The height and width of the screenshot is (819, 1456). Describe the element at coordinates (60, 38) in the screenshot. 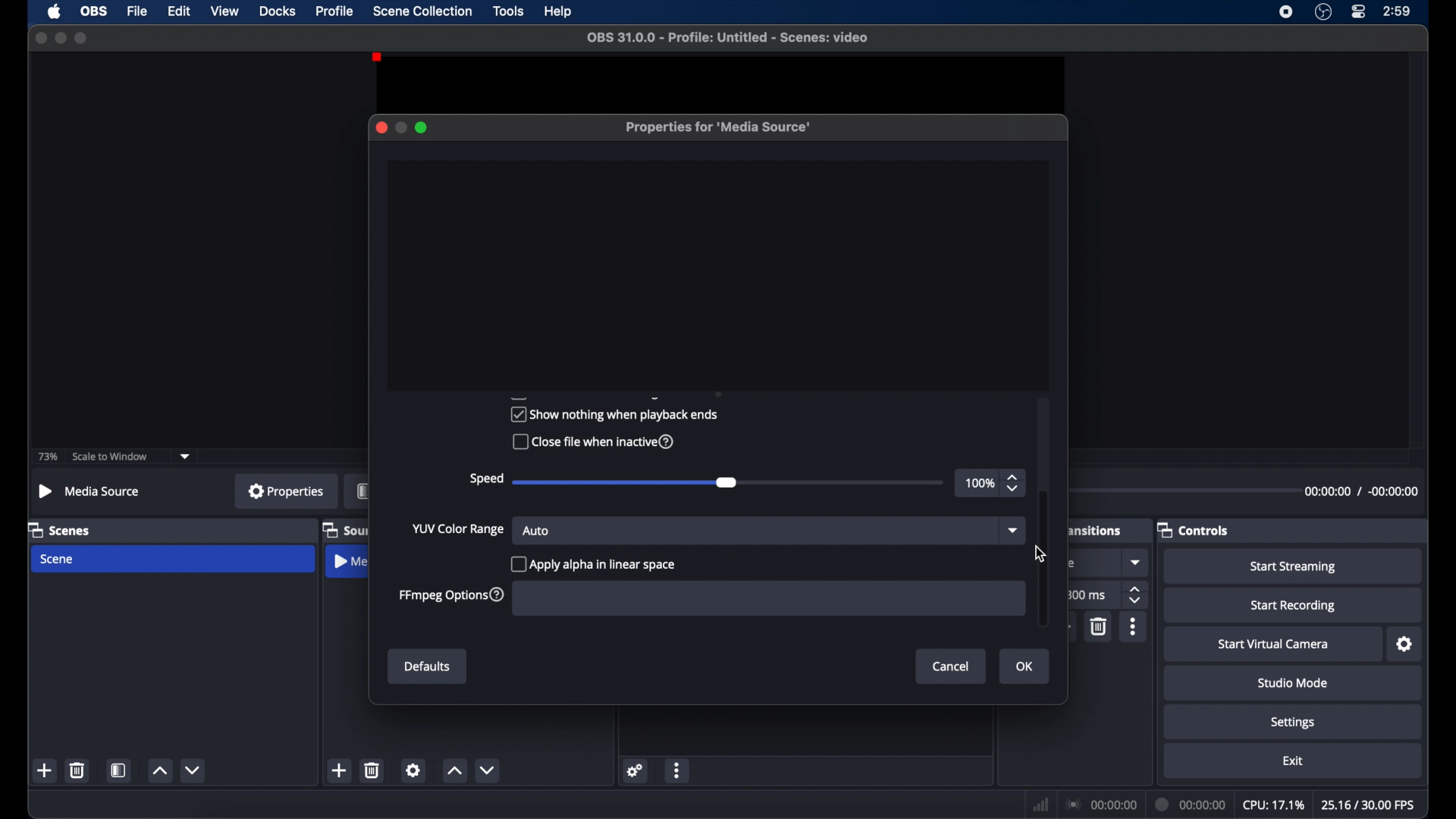

I see `minimize` at that location.